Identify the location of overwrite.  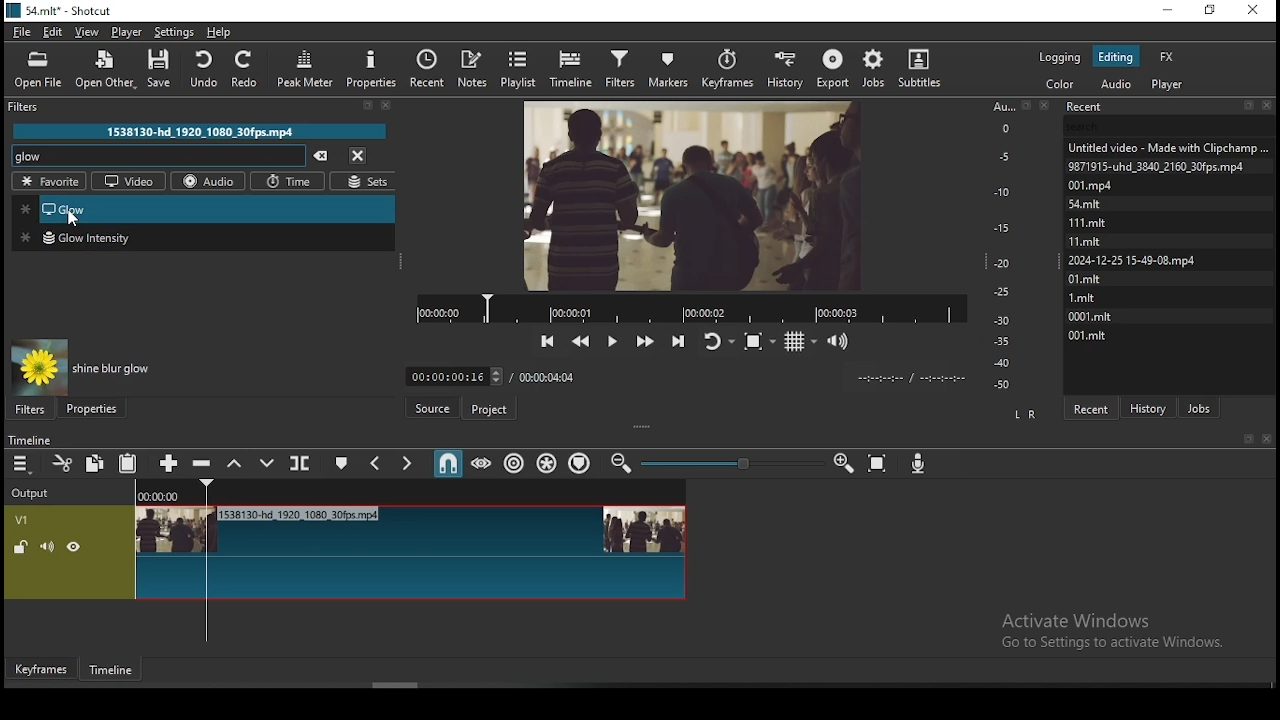
(261, 463).